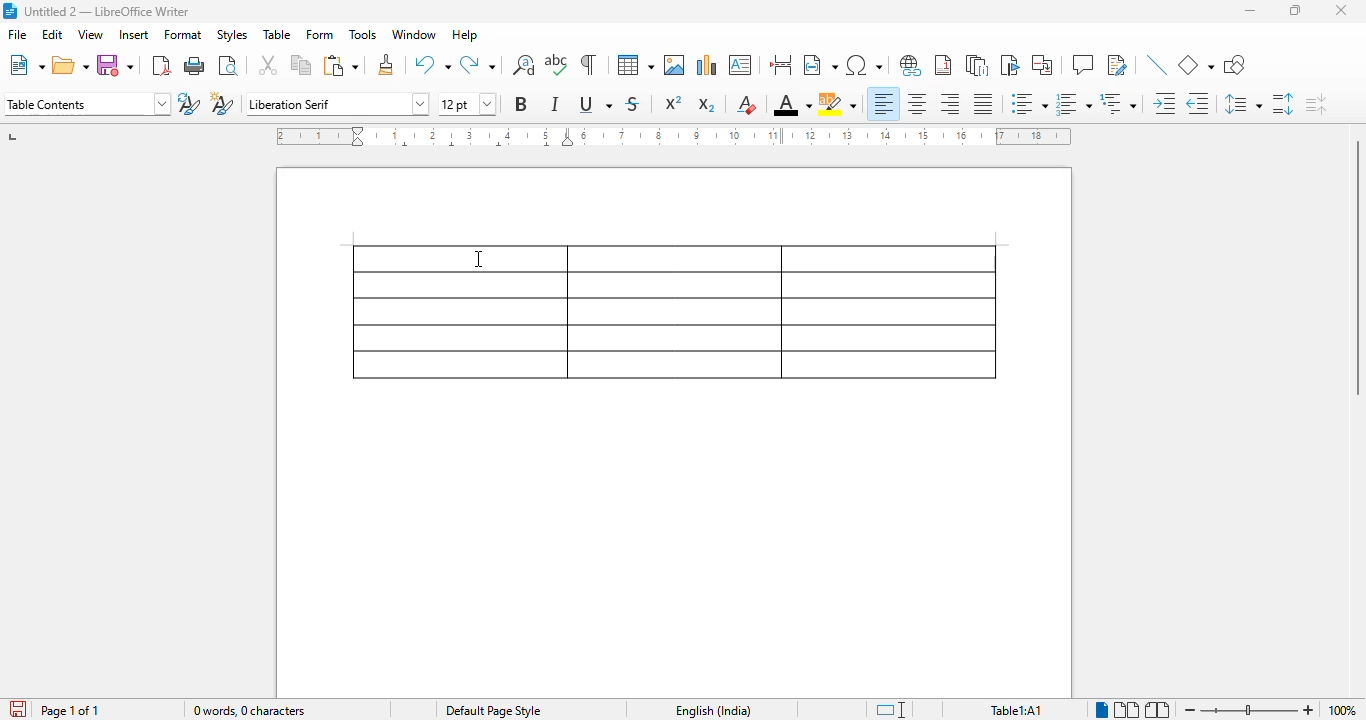 The height and width of the screenshot is (720, 1366). What do you see at coordinates (320, 34) in the screenshot?
I see `form` at bounding box center [320, 34].